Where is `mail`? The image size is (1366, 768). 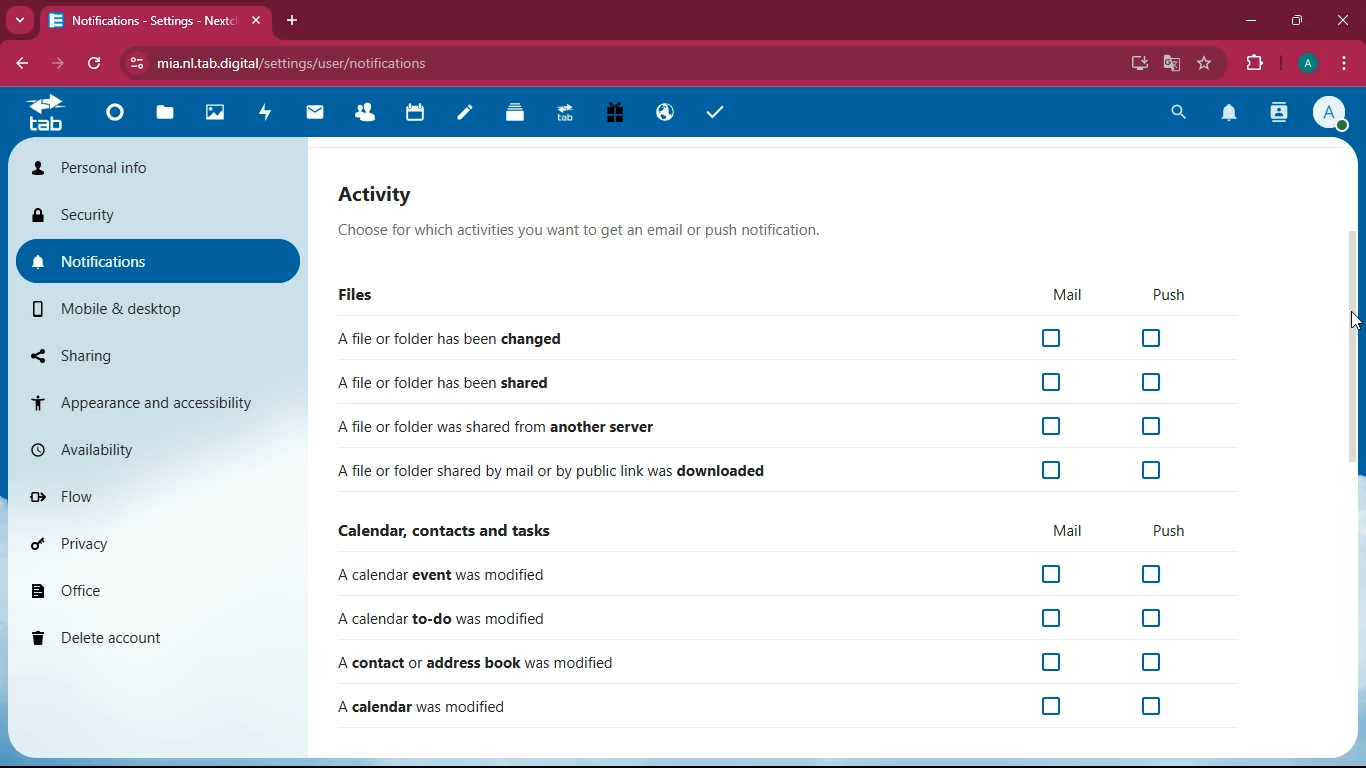
mail is located at coordinates (315, 114).